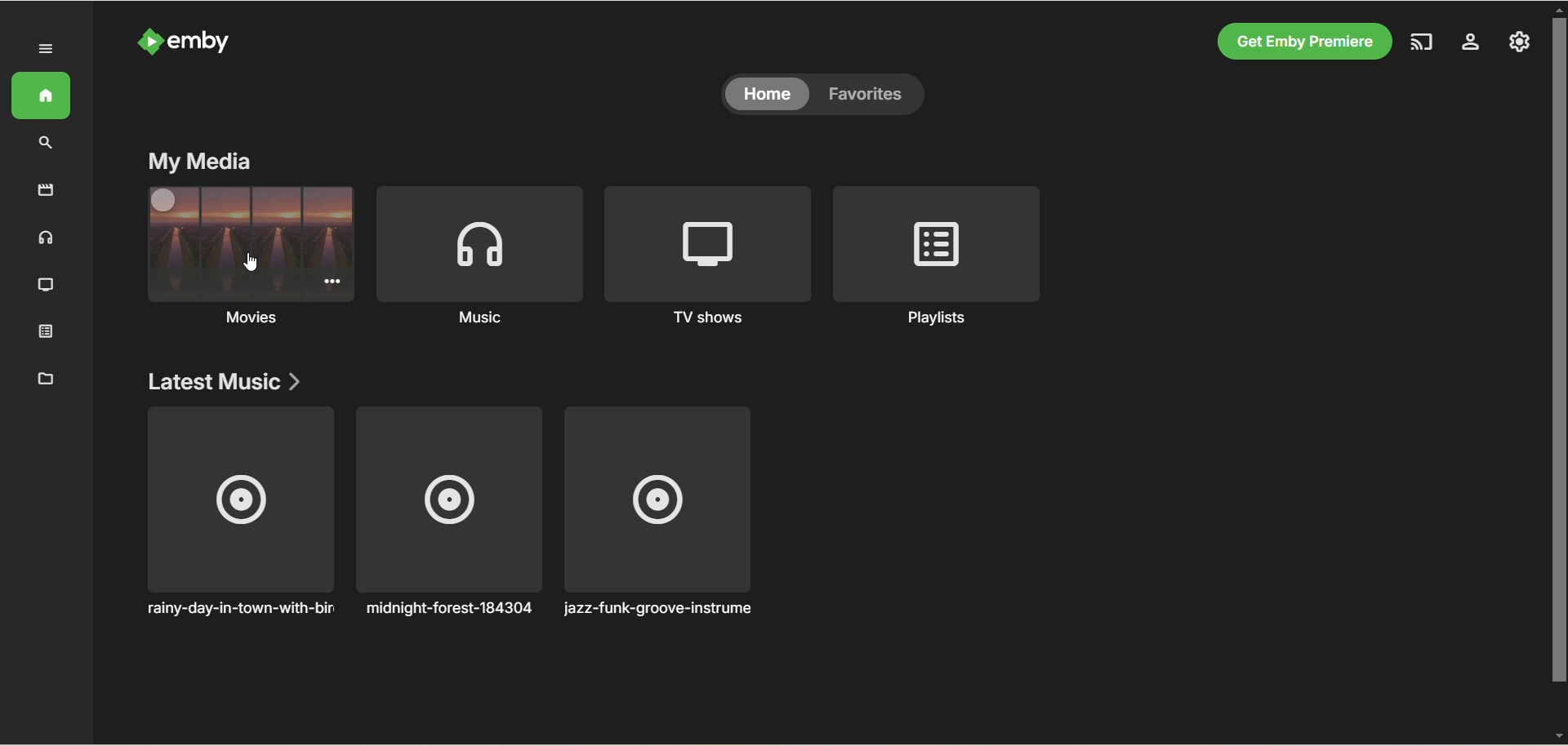 The height and width of the screenshot is (746, 1568). What do you see at coordinates (47, 237) in the screenshot?
I see `music` at bounding box center [47, 237].